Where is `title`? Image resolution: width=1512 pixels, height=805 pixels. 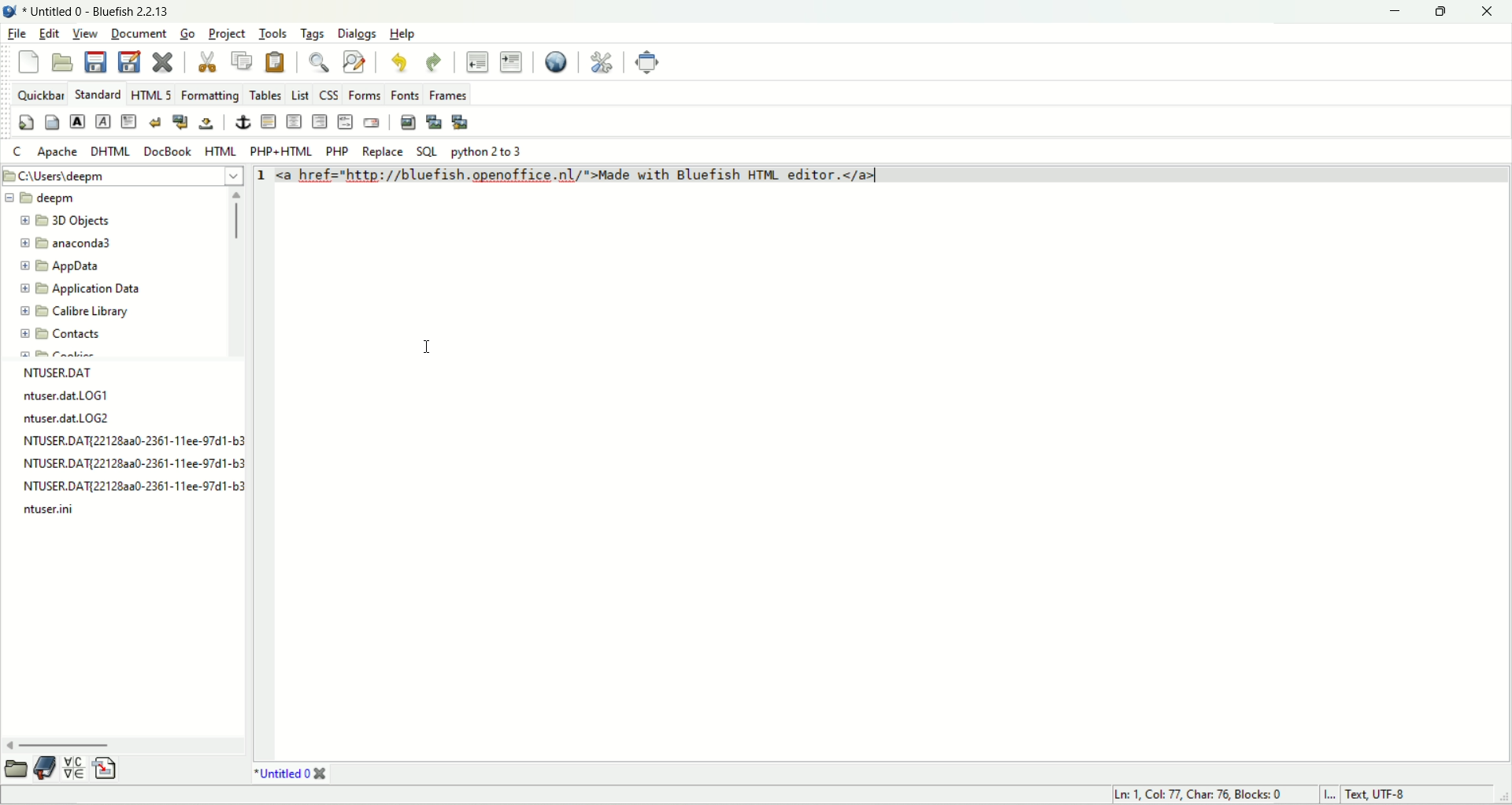
title is located at coordinates (101, 13).